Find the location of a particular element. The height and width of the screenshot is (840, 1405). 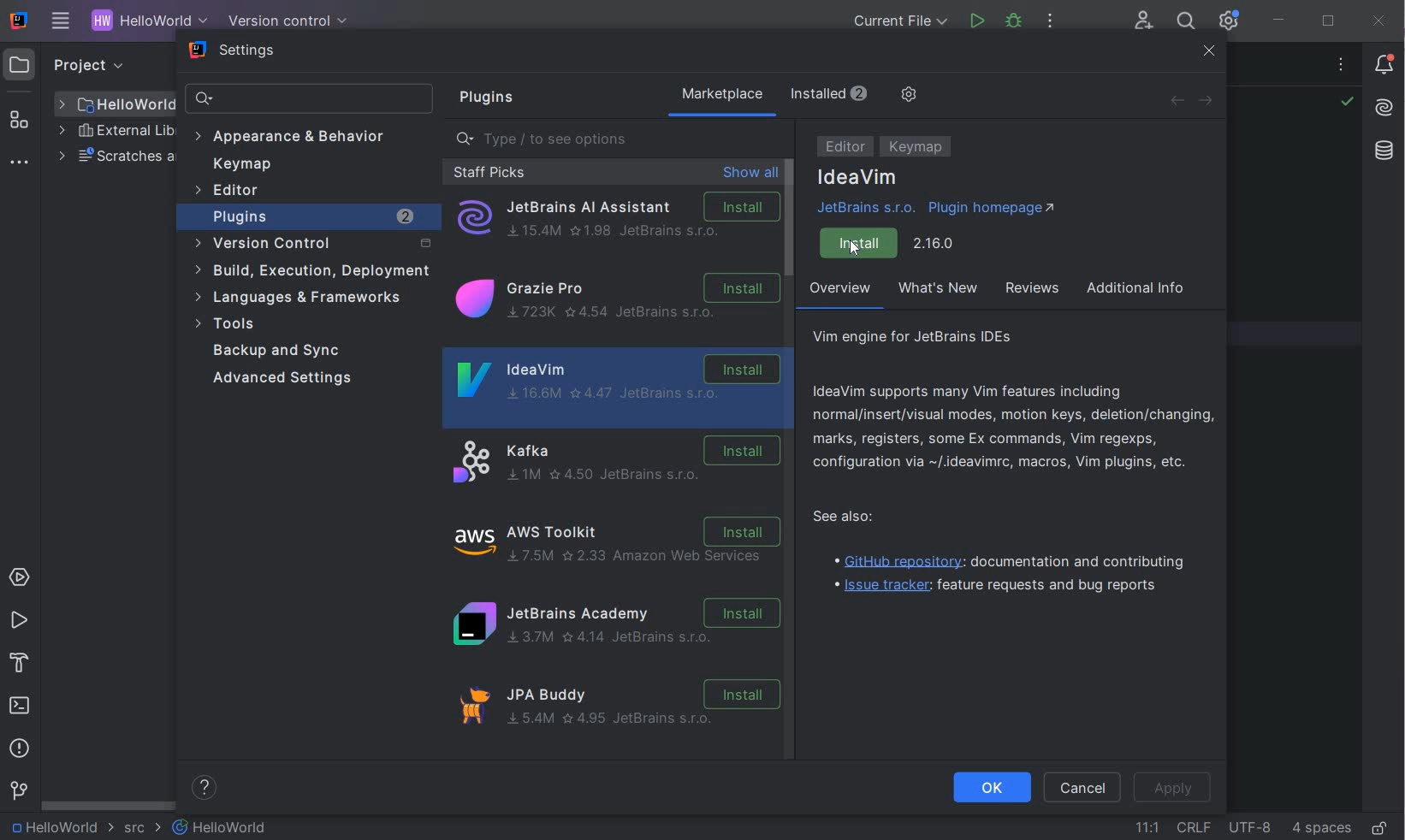

minimize is located at coordinates (1280, 21).